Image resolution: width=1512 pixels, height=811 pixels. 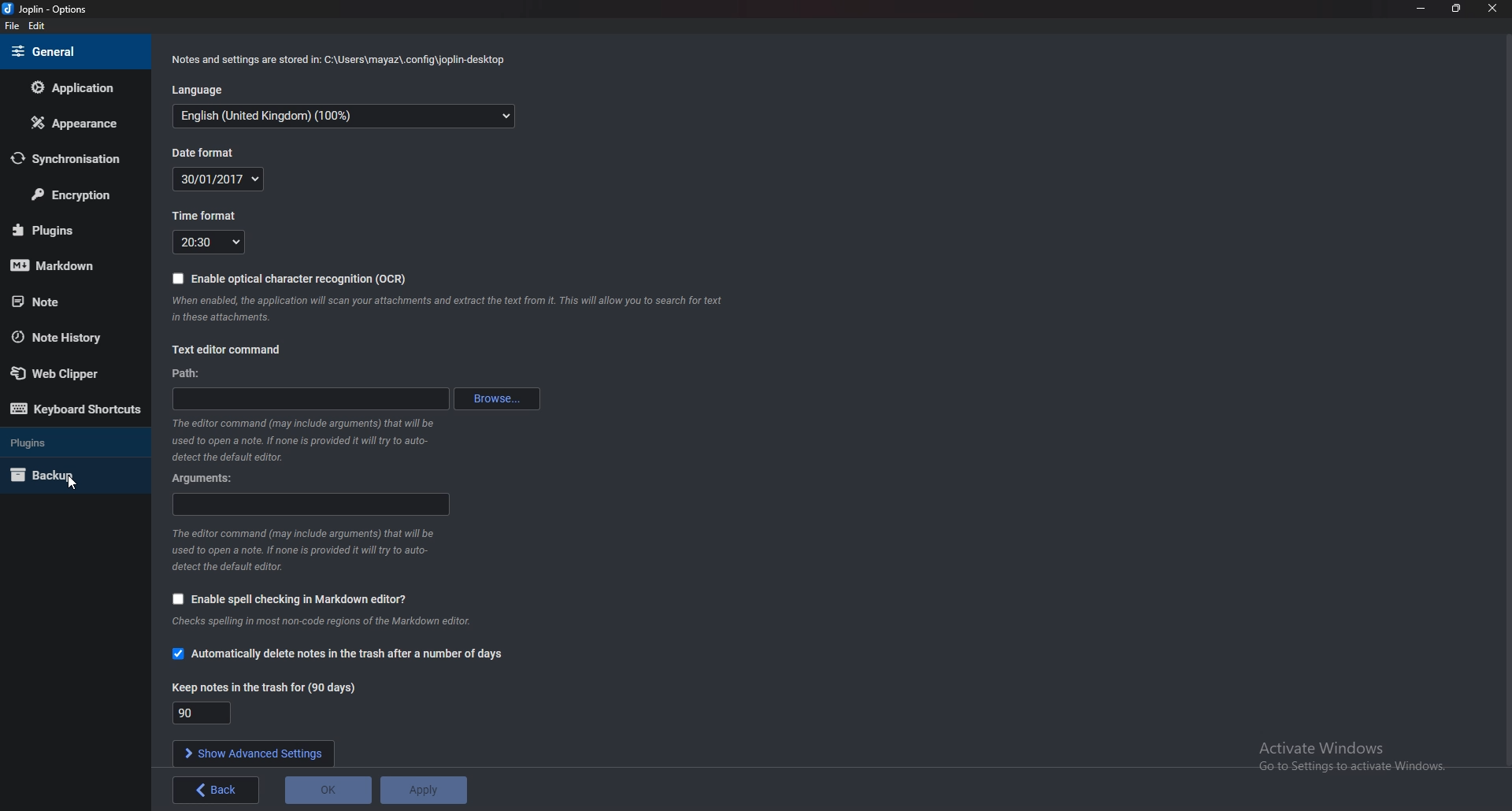 What do you see at coordinates (1506, 400) in the screenshot?
I see `scroll bar` at bounding box center [1506, 400].